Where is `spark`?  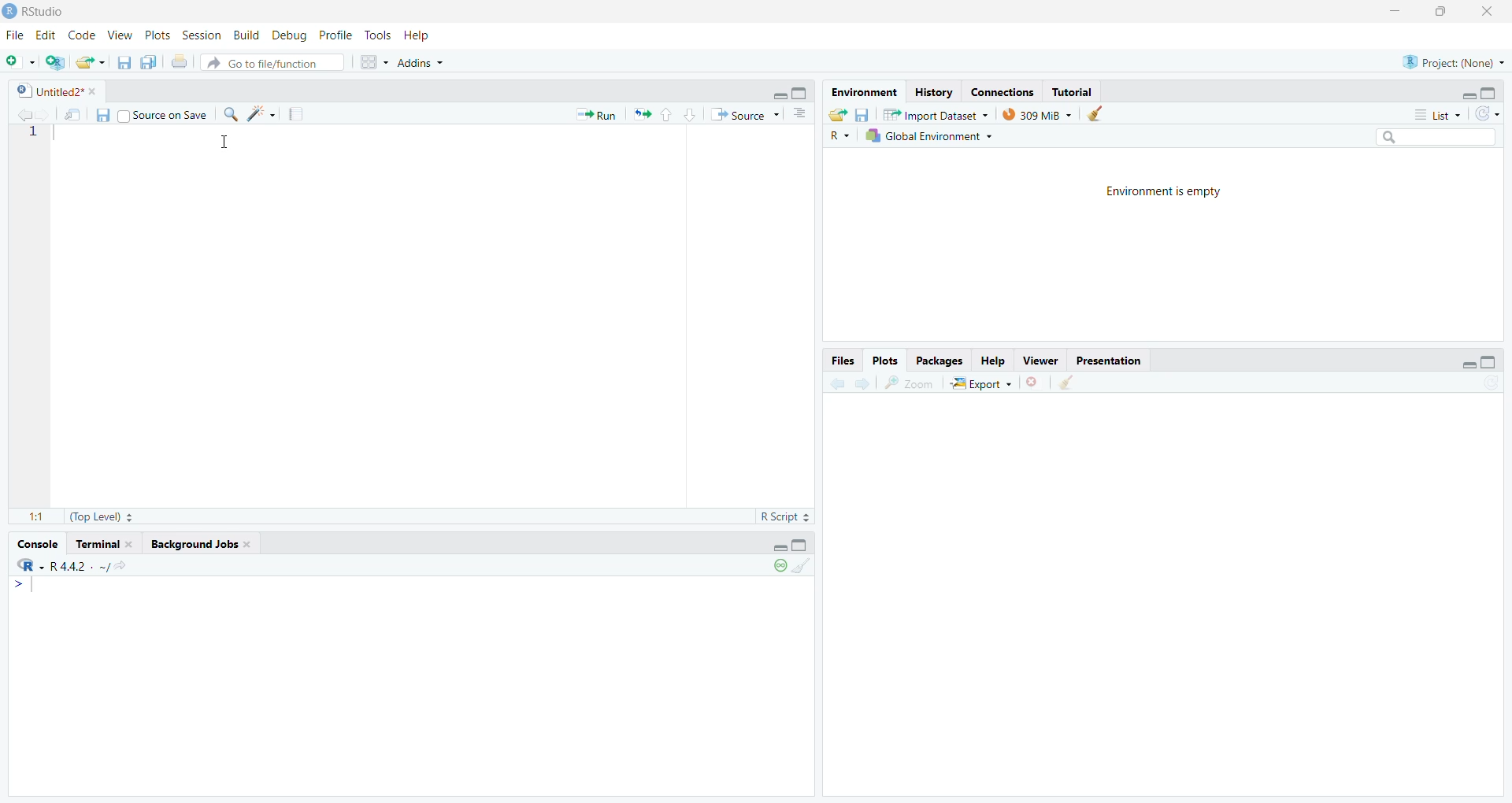
spark is located at coordinates (264, 114).